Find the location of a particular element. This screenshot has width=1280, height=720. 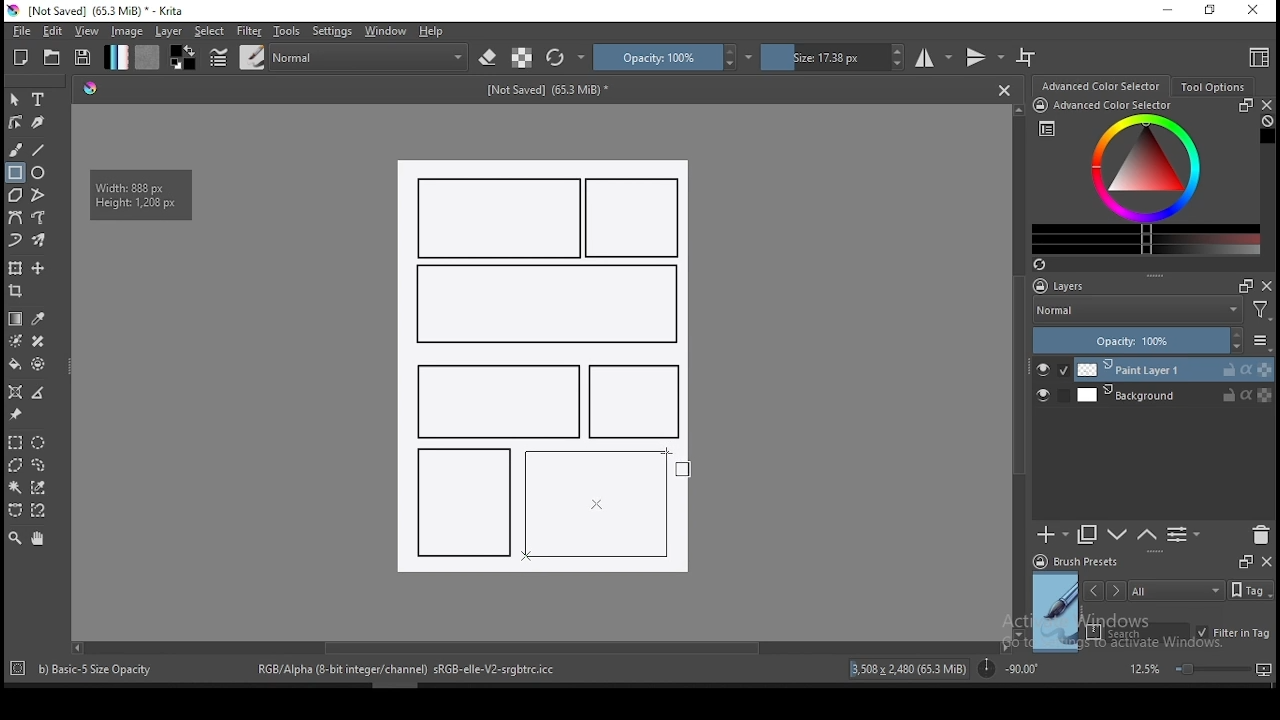

transform a layer or a selection is located at coordinates (15, 267).